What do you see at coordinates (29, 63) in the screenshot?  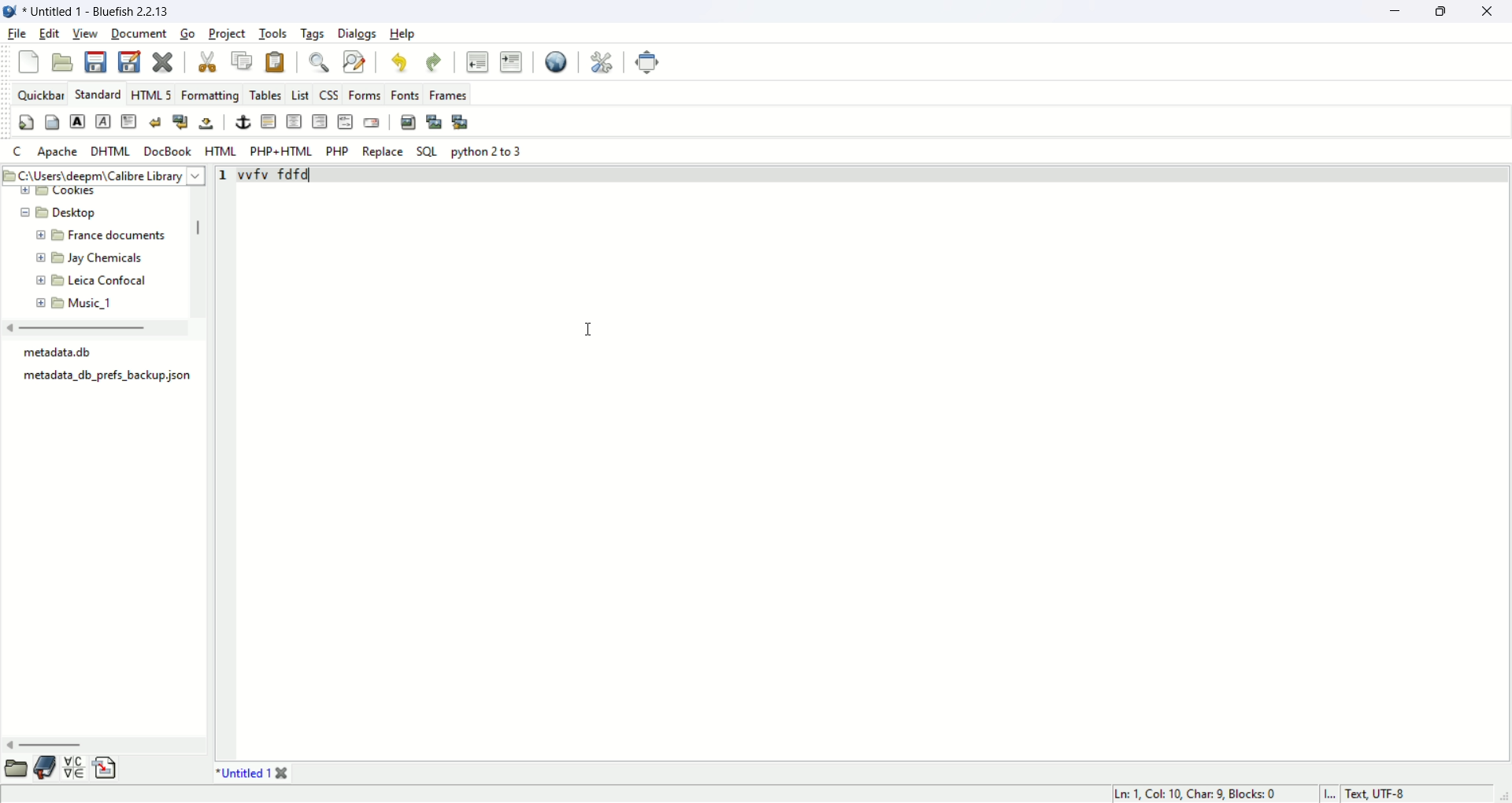 I see `new` at bounding box center [29, 63].